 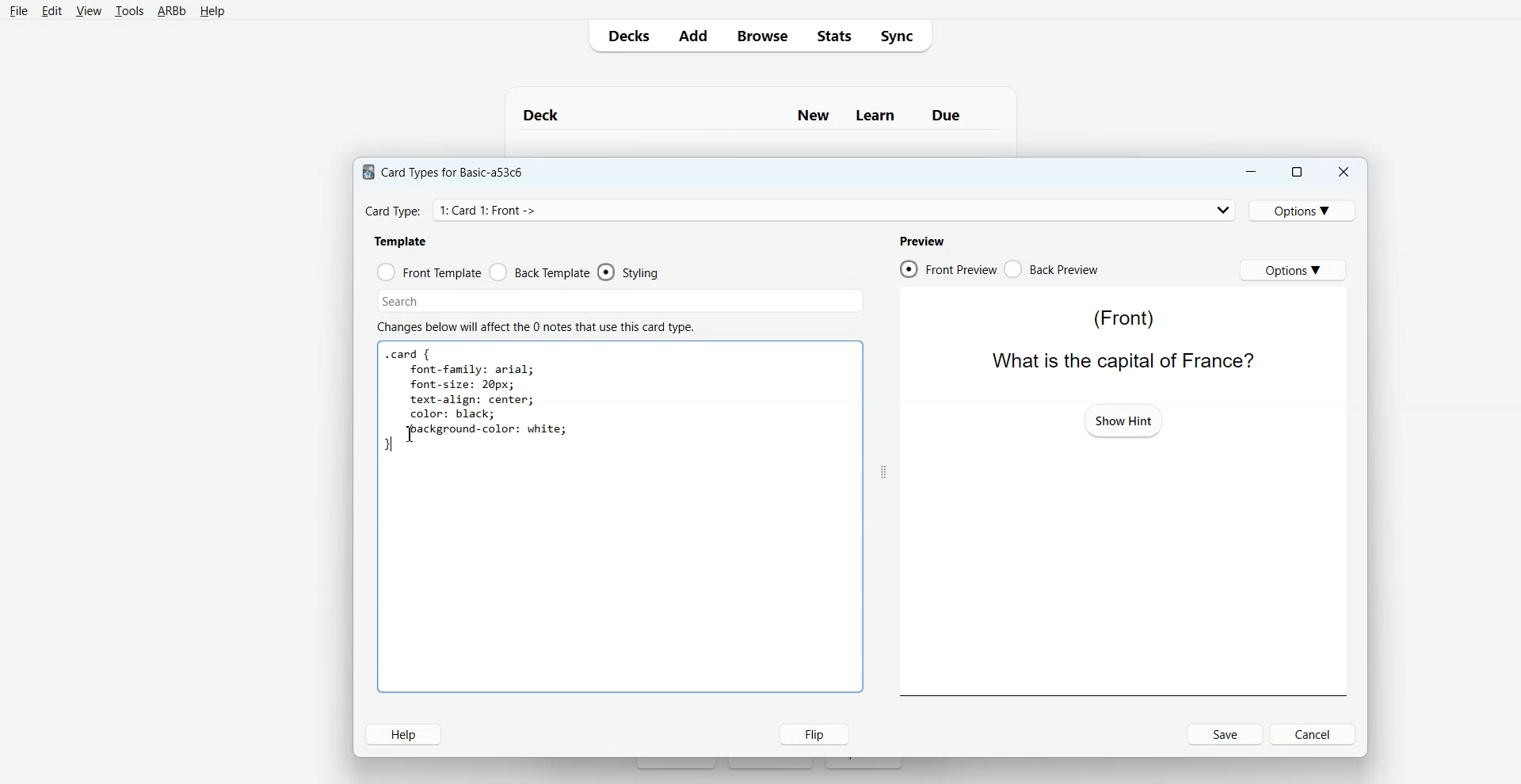 I want to click on Cancel, so click(x=1315, y=733).